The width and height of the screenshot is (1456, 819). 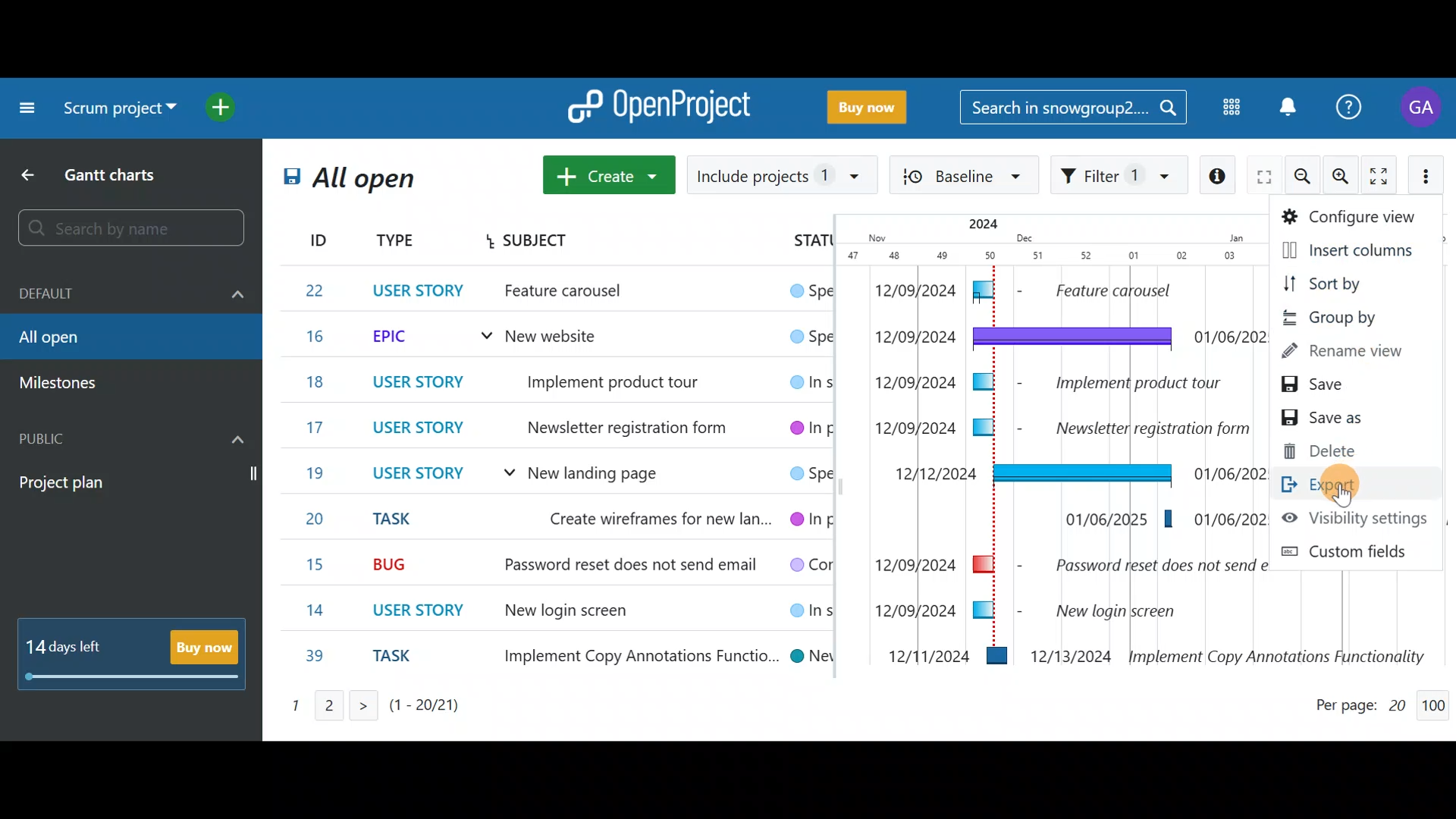 What do you see at coordinates (317, 472) in the screenshot?
I see `19` at bounding box center [317, 472].